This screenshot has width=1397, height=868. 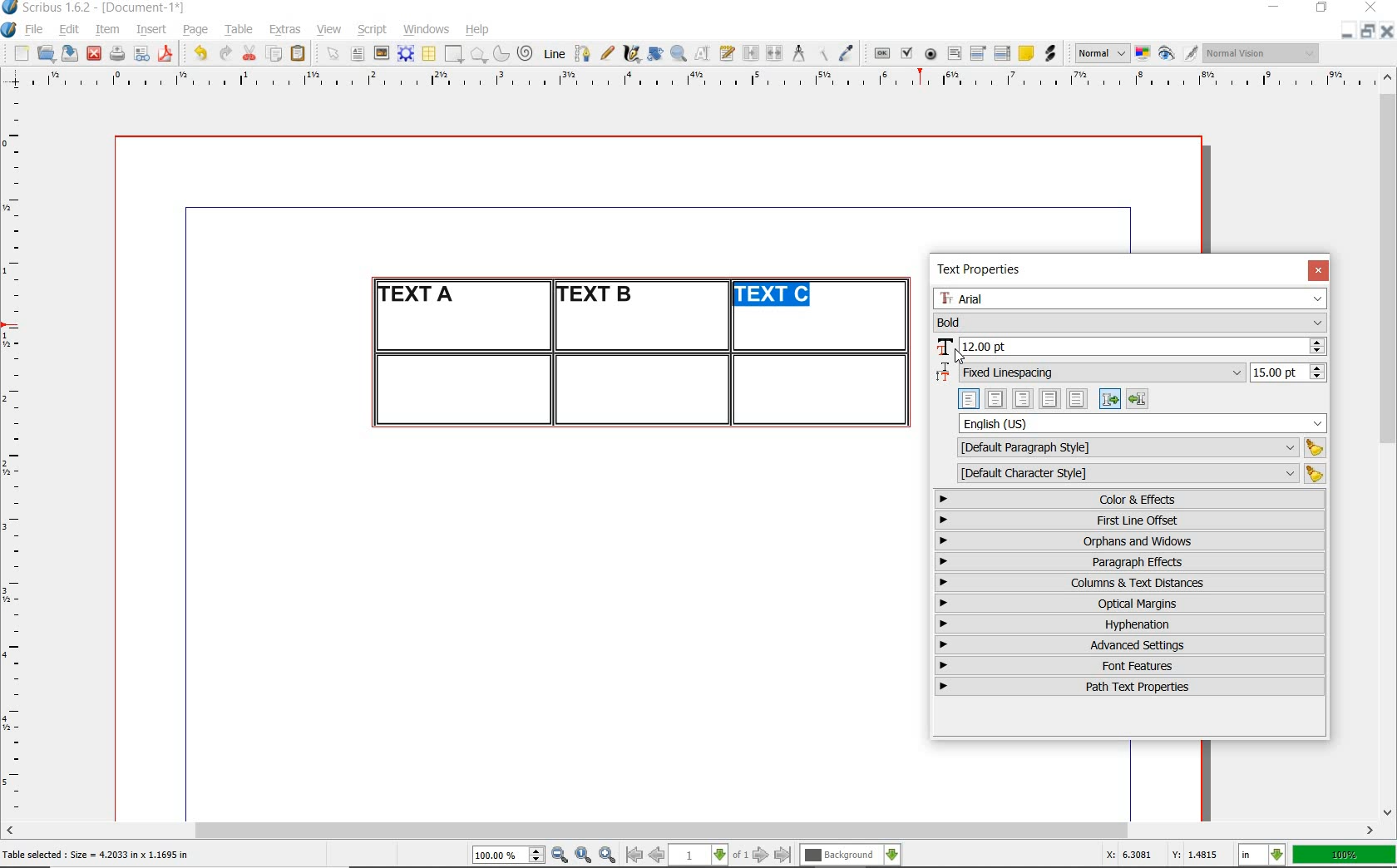 What do you see at coordinates (329, 29) in the screenshot?
I see `view` at bounding box center [329, 29].